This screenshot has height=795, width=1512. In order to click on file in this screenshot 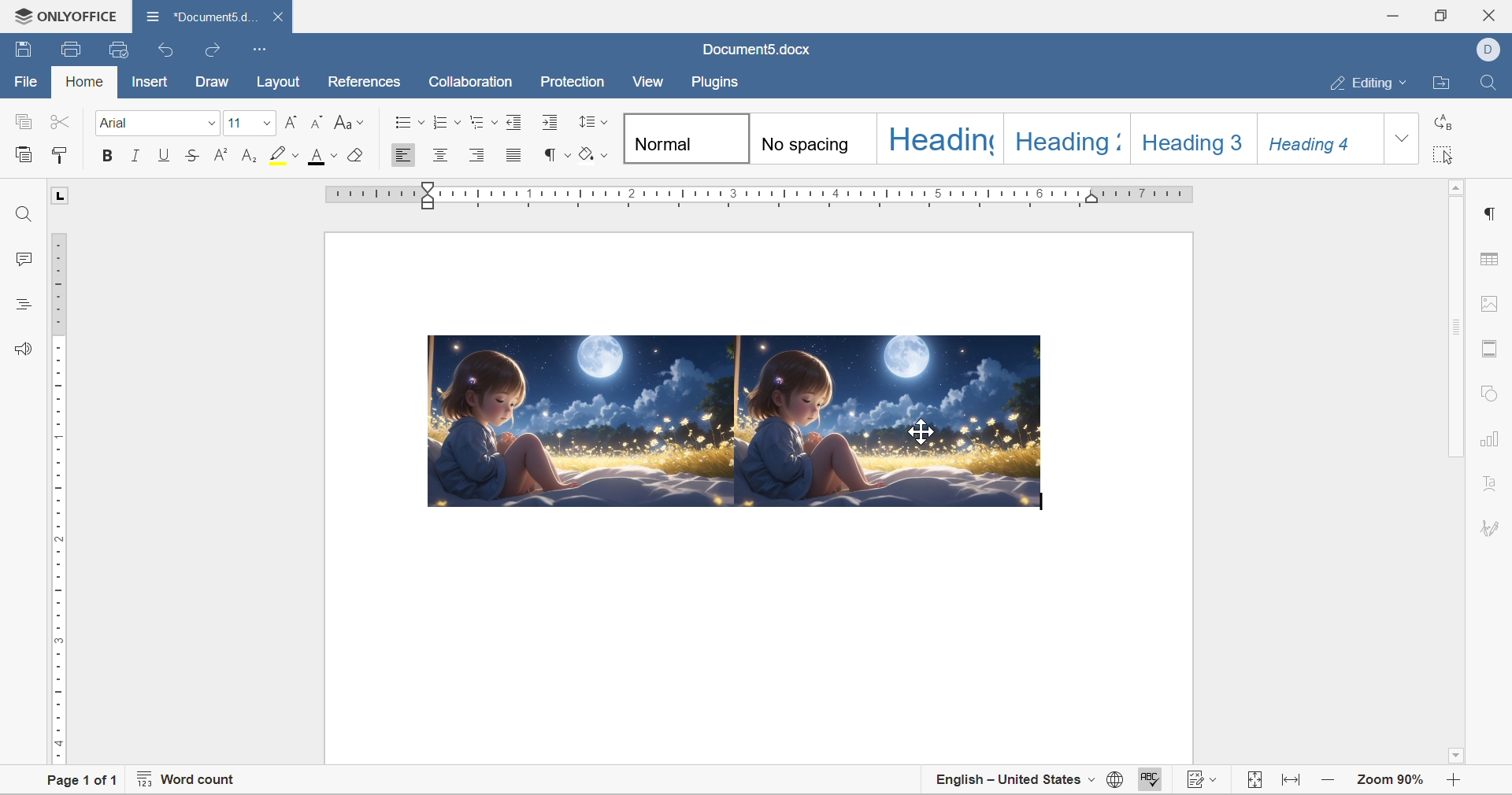, I will do `click(28, 81)`.